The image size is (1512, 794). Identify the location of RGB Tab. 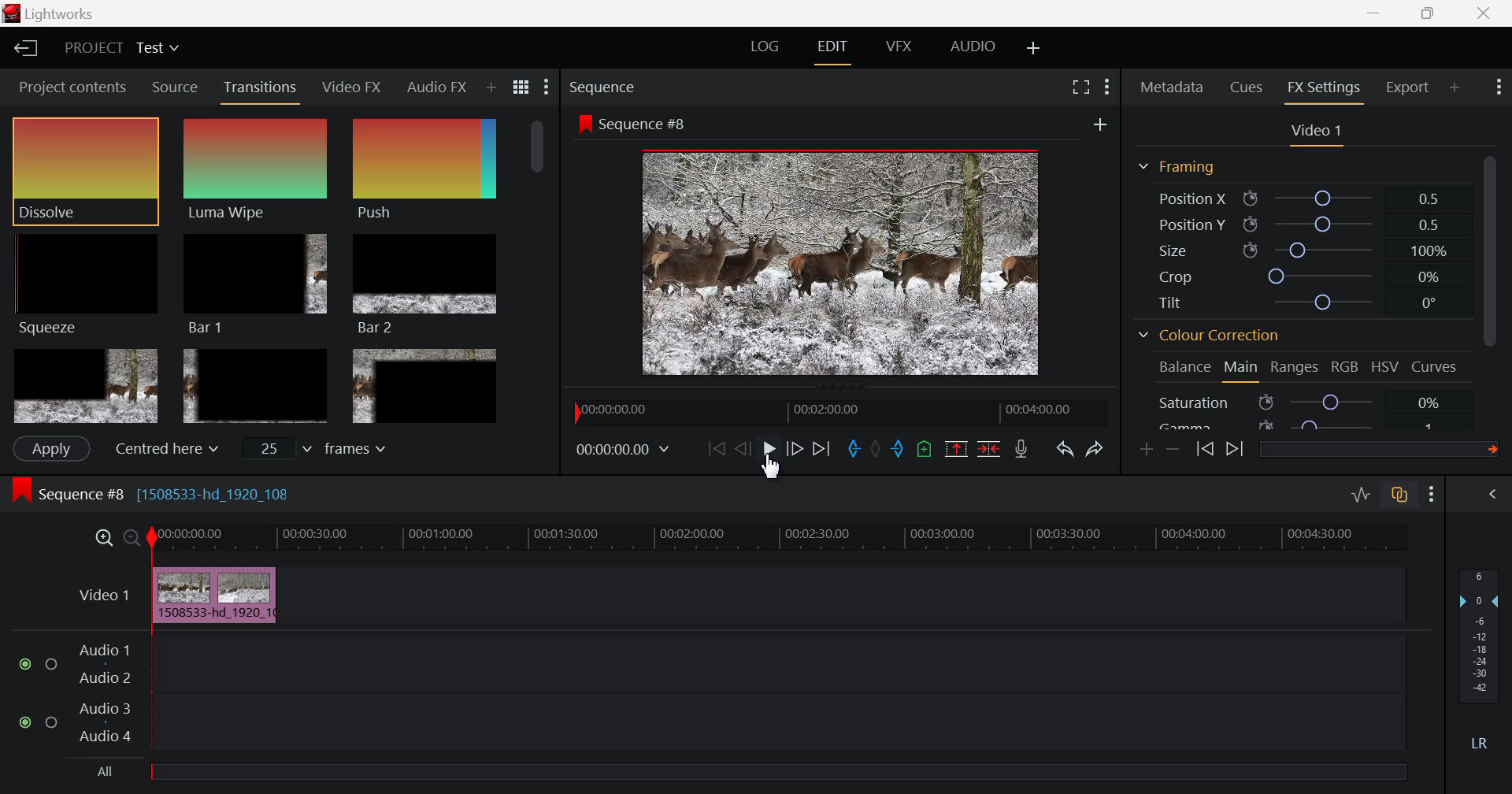
(1347, 369).